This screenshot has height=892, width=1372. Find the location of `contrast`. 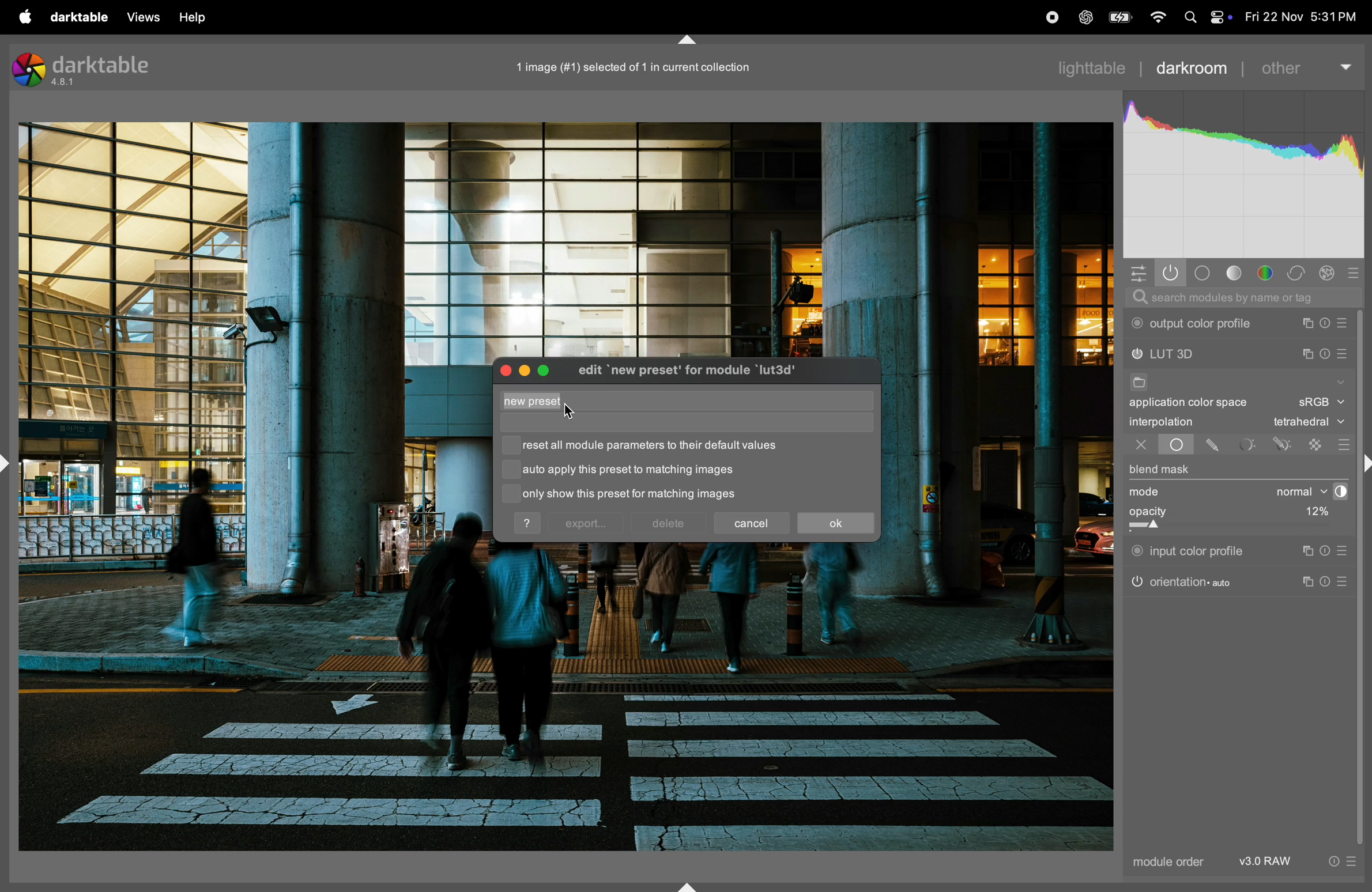

contrast is located at coordinates (1337, 492).